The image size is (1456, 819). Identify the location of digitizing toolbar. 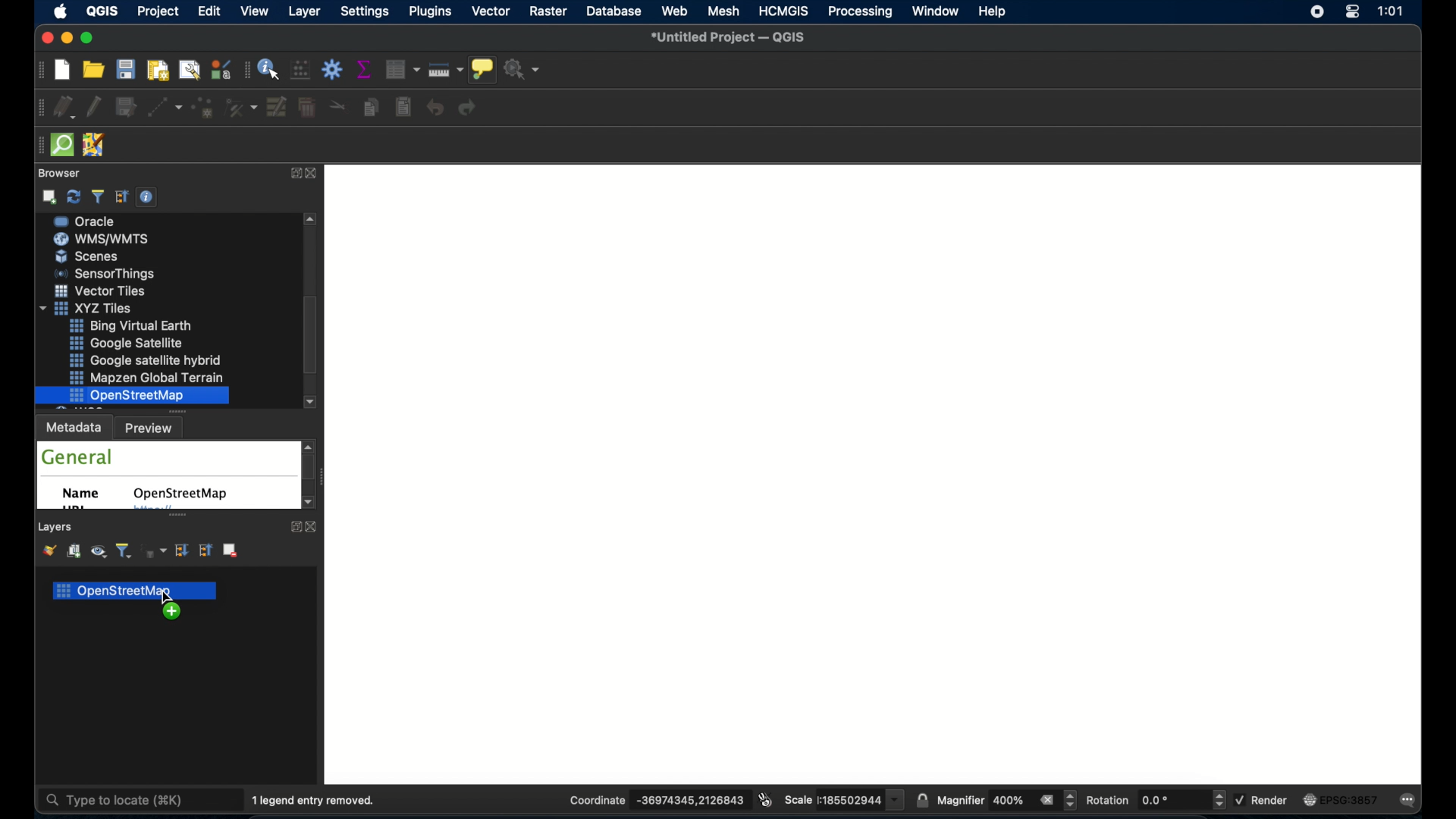
(36, 108).